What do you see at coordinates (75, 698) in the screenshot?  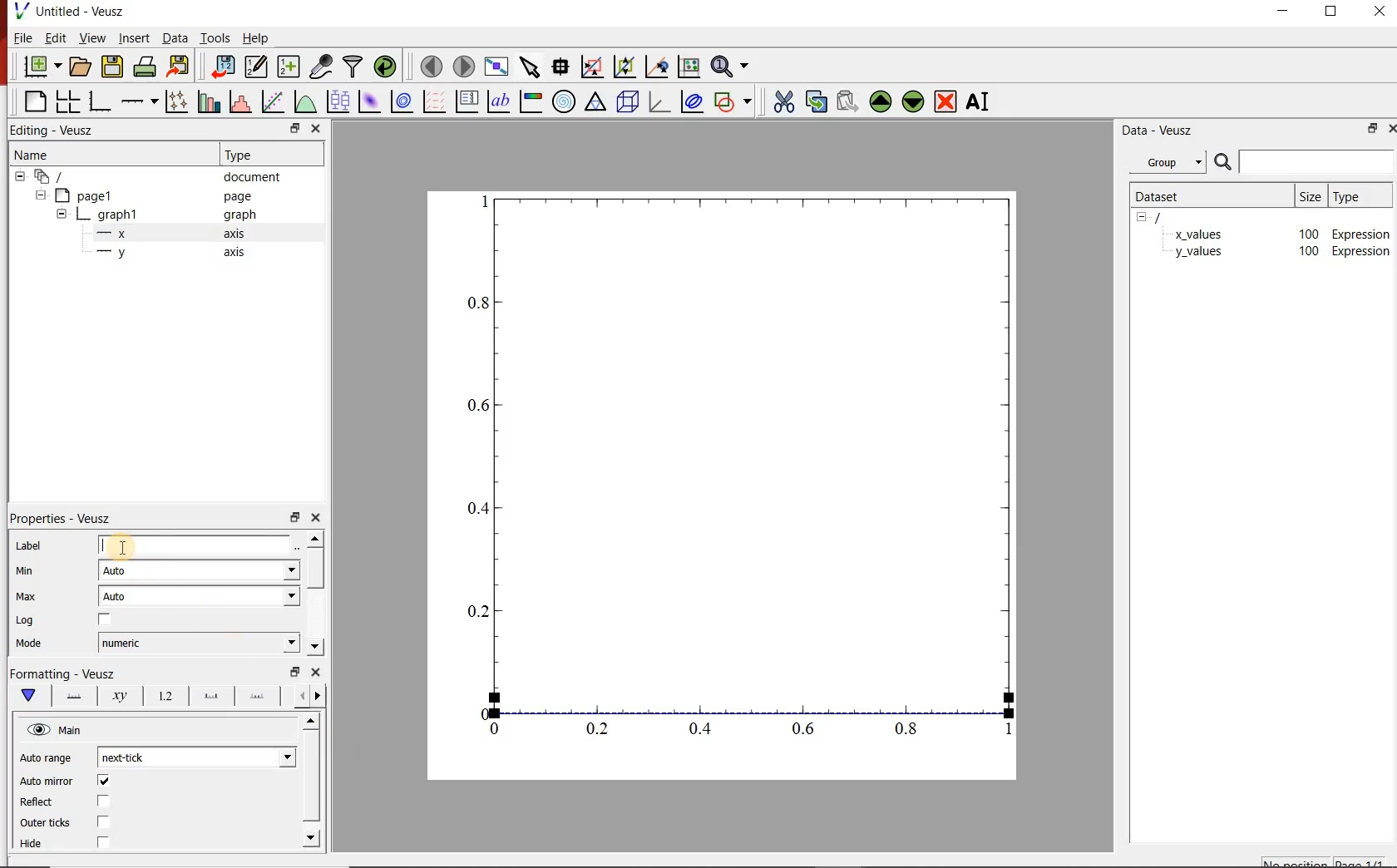 I see `axis lane` at bounding box center [75, 698].